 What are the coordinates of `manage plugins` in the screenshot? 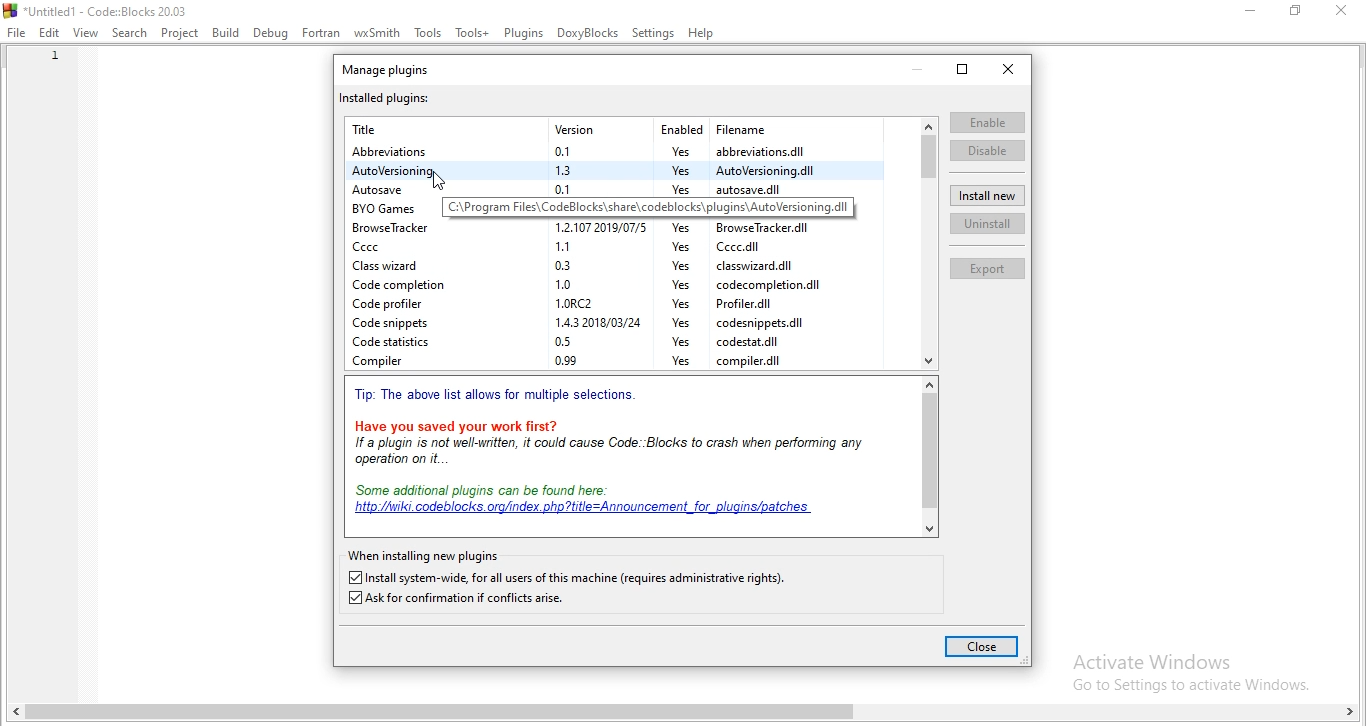 It's located at (394, 69).